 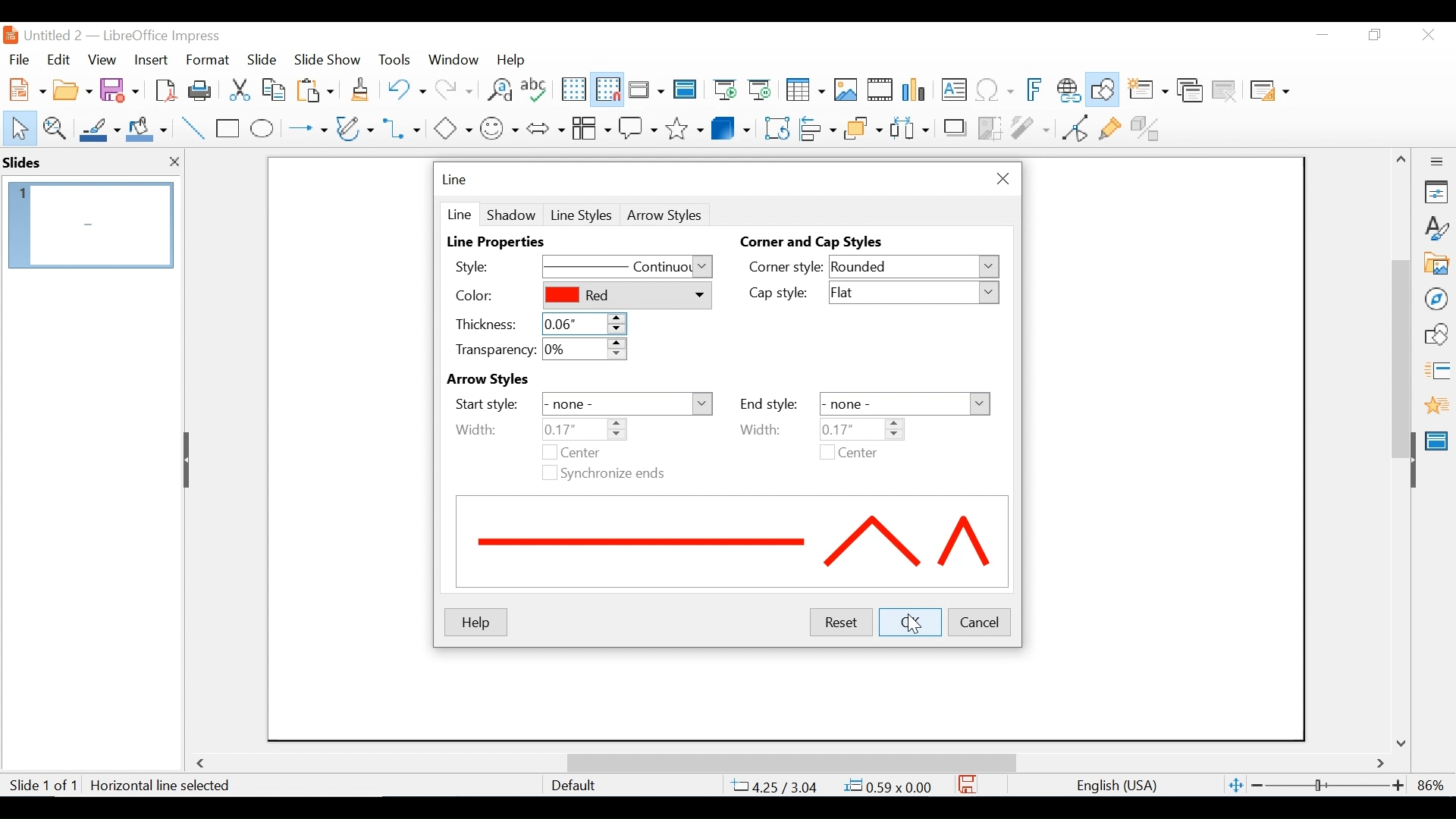 I want to click on Cursor, so click(x=915, y=623).